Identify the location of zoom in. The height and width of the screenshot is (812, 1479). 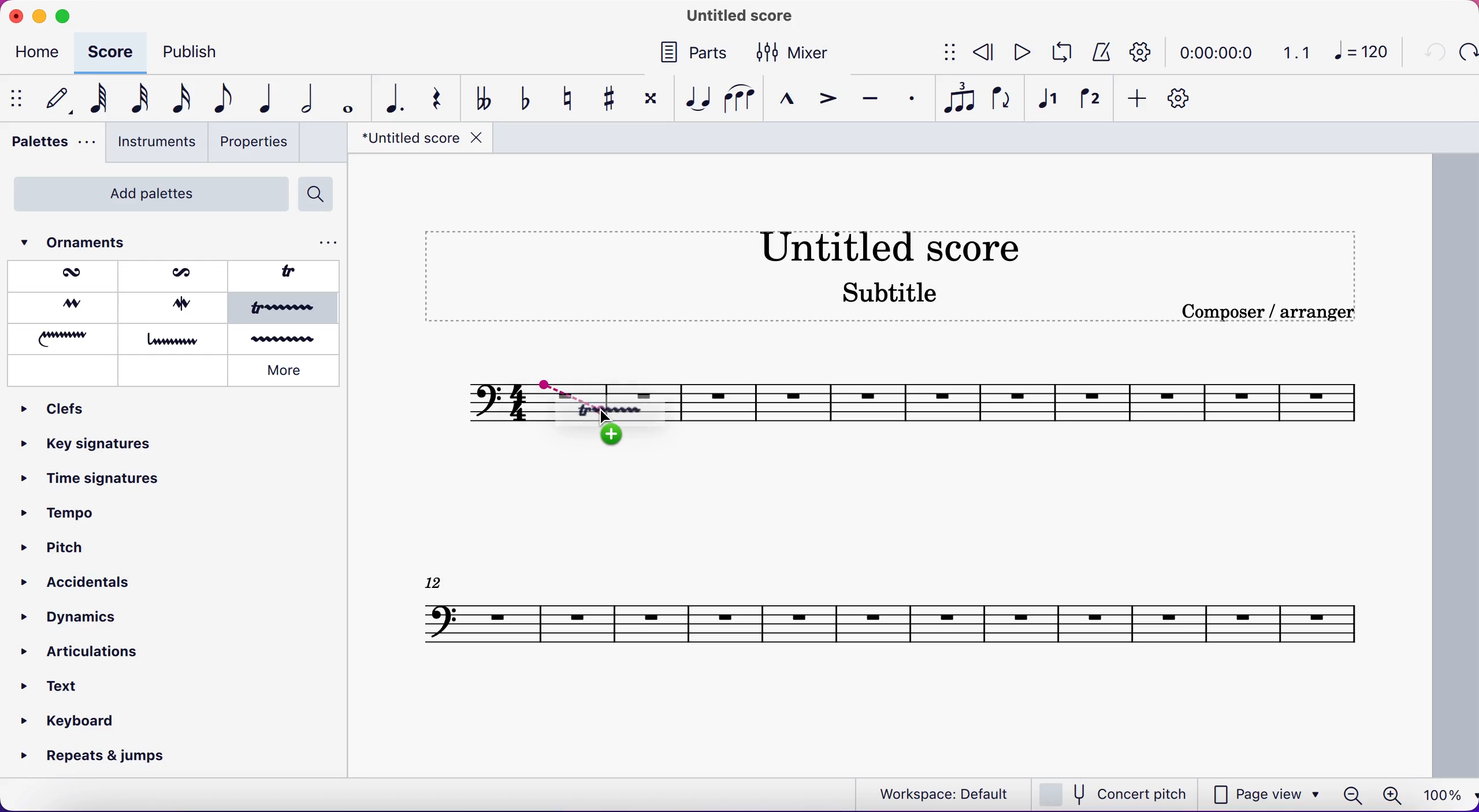
(1391, 796).